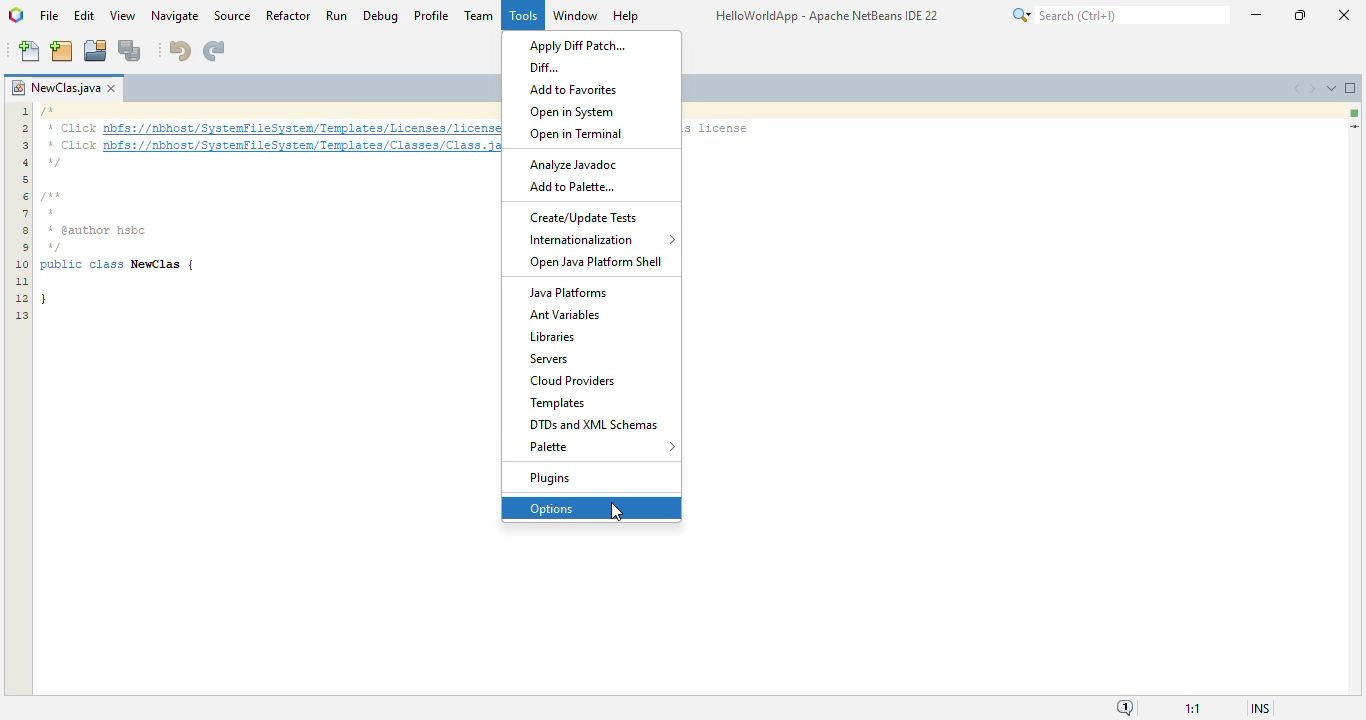 The width and height of the screenshot is (1366, 720). What do you see at coordinates (1256, 13) in the screenshot?
I see `minimize` at bounding box center [1256, 13].